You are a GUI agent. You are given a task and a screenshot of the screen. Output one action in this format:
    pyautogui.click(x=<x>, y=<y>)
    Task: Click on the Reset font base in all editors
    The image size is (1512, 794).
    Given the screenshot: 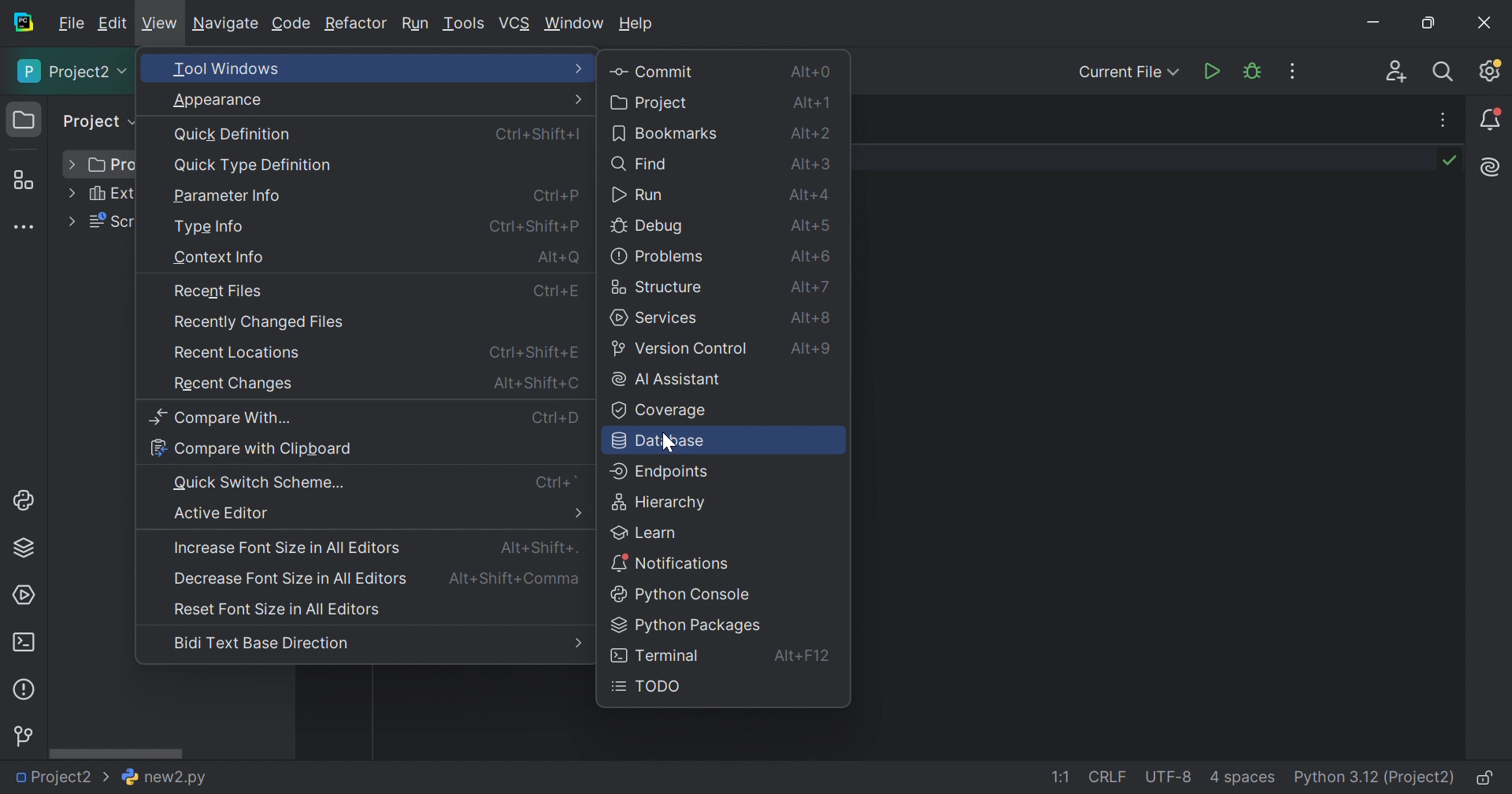 What is the action you would take?
    pyautogui.click(x=279, y=609)
    